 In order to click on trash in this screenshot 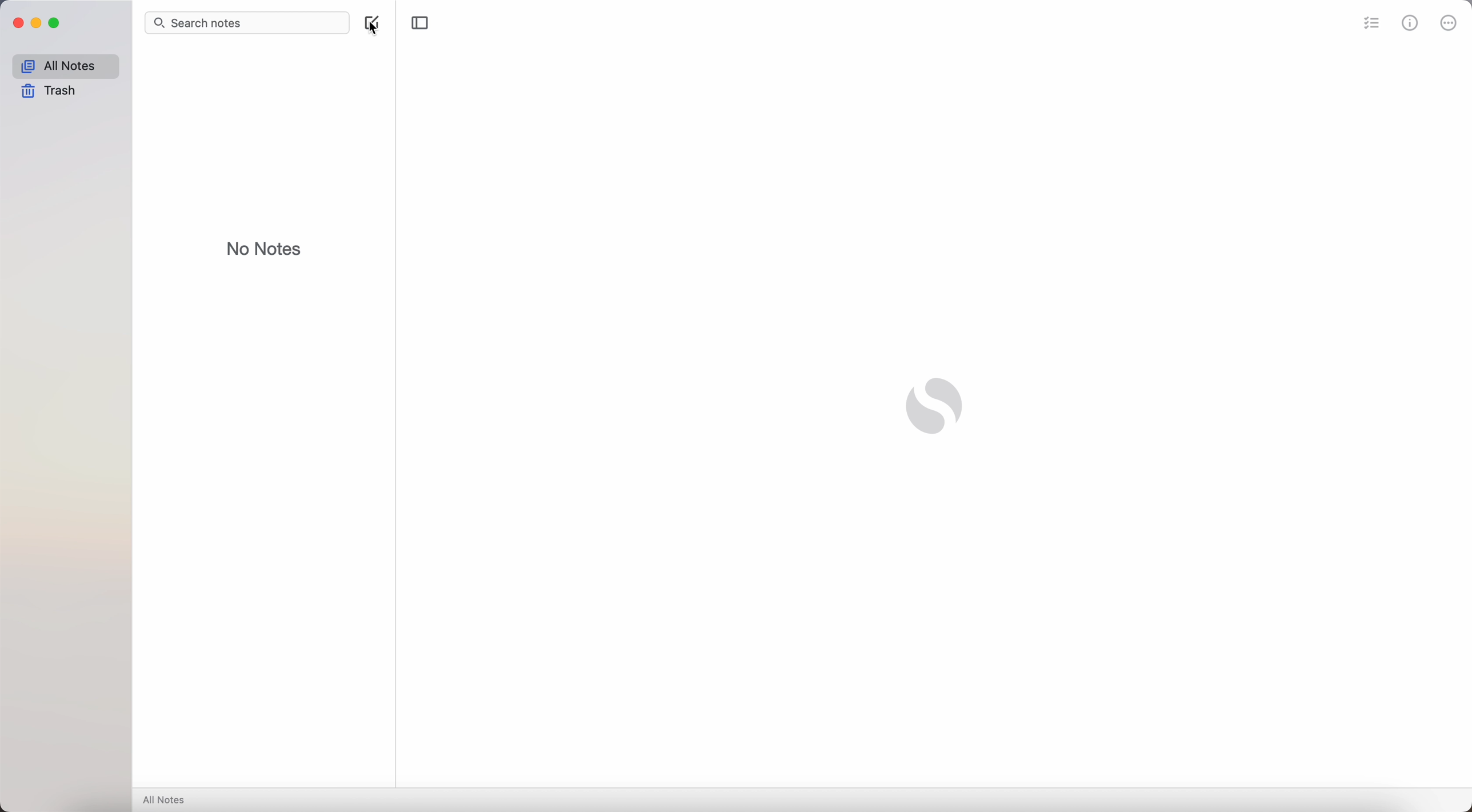, I will do `click(53, 90)`.